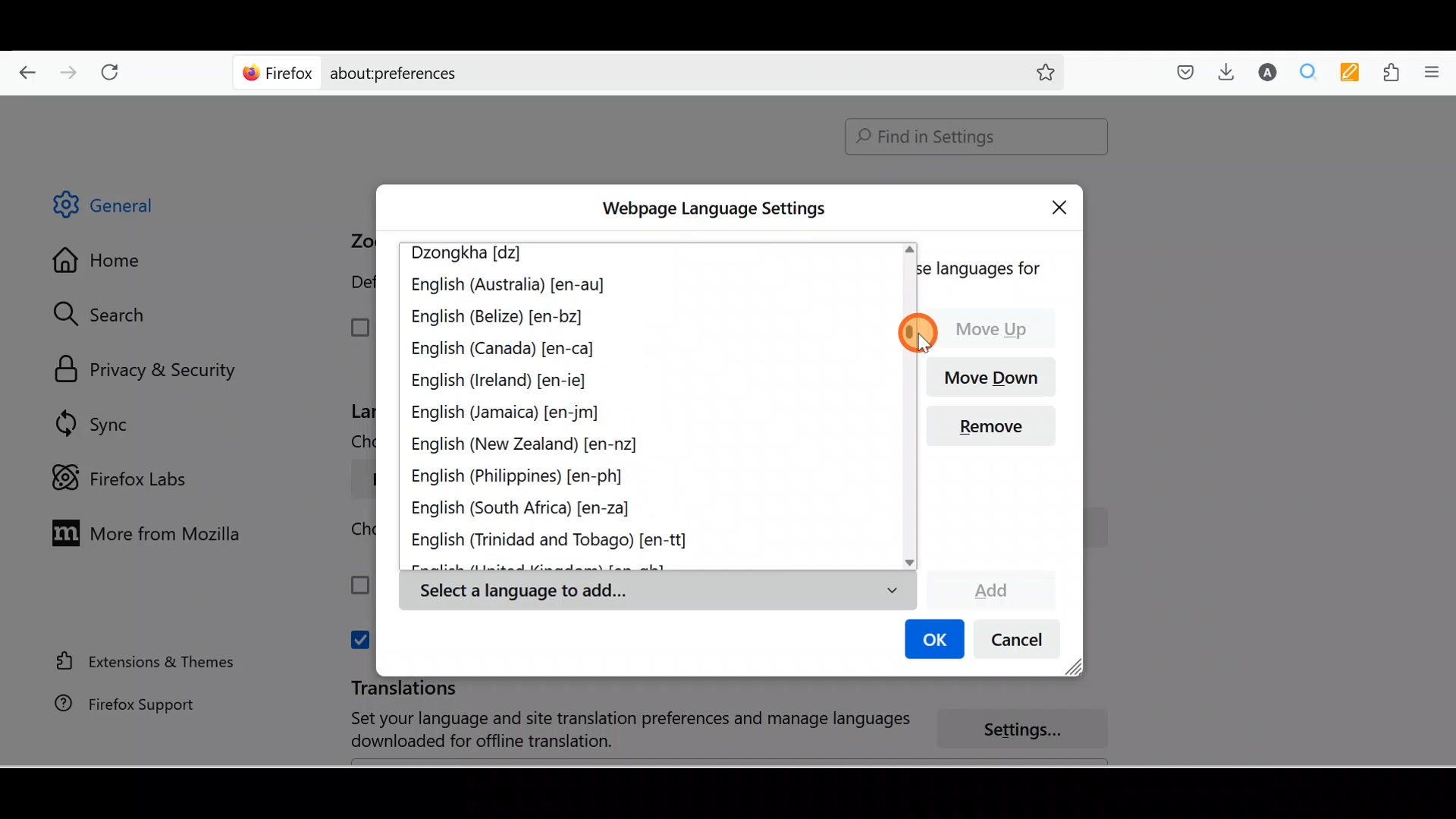 This screenshot has width=1456, height=819. I want to click on Scroll bar, so click(908, 405).